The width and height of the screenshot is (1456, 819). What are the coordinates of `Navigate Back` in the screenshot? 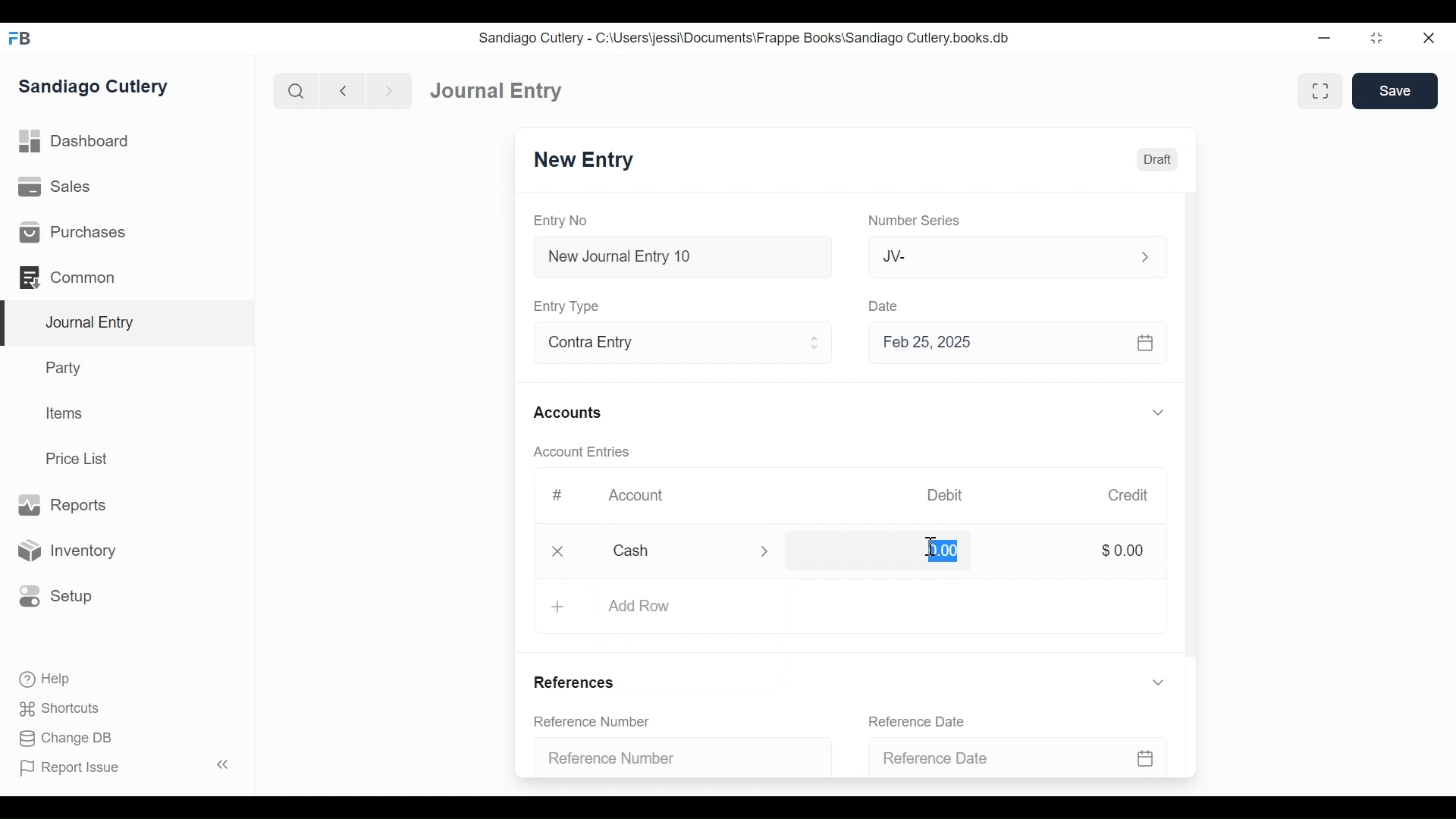 It's located at (344, 91).